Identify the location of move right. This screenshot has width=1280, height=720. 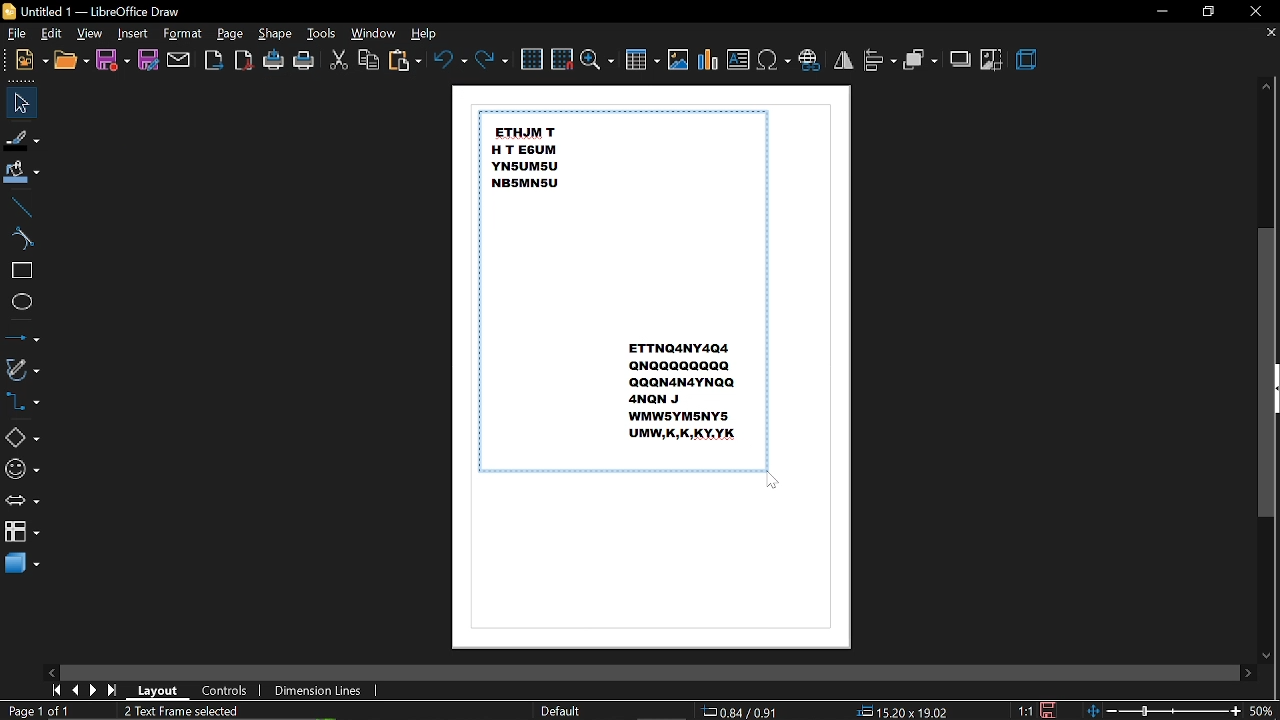
(1247, 672).